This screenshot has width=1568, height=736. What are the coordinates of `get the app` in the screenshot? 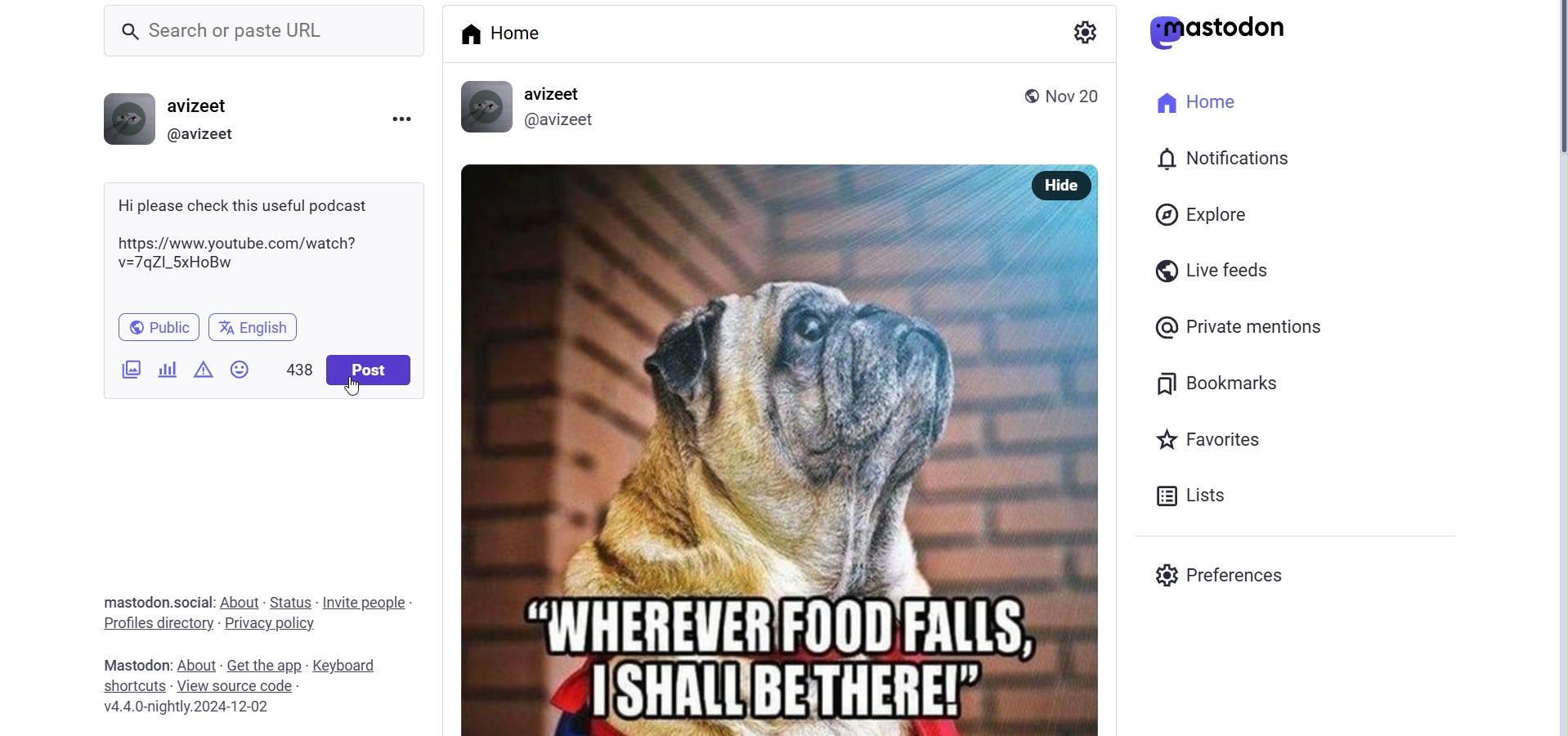 It's located at (263, 664).